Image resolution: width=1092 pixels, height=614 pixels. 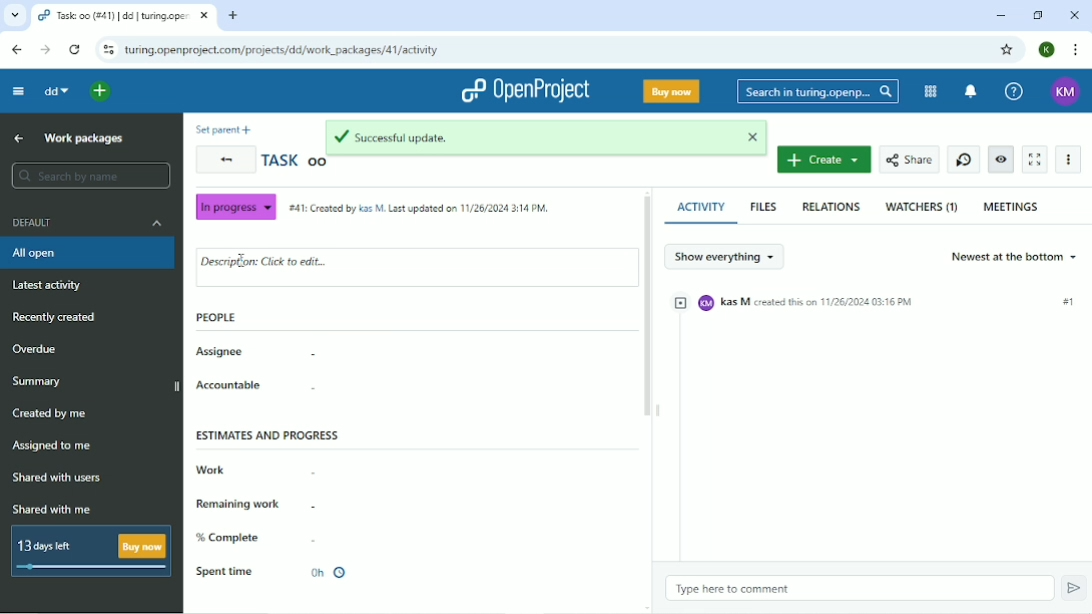 What do you see at coordinates (1075, 49) in the screenshot?
I see `Customize and control google chrome` at bounding box center [1075, 49].